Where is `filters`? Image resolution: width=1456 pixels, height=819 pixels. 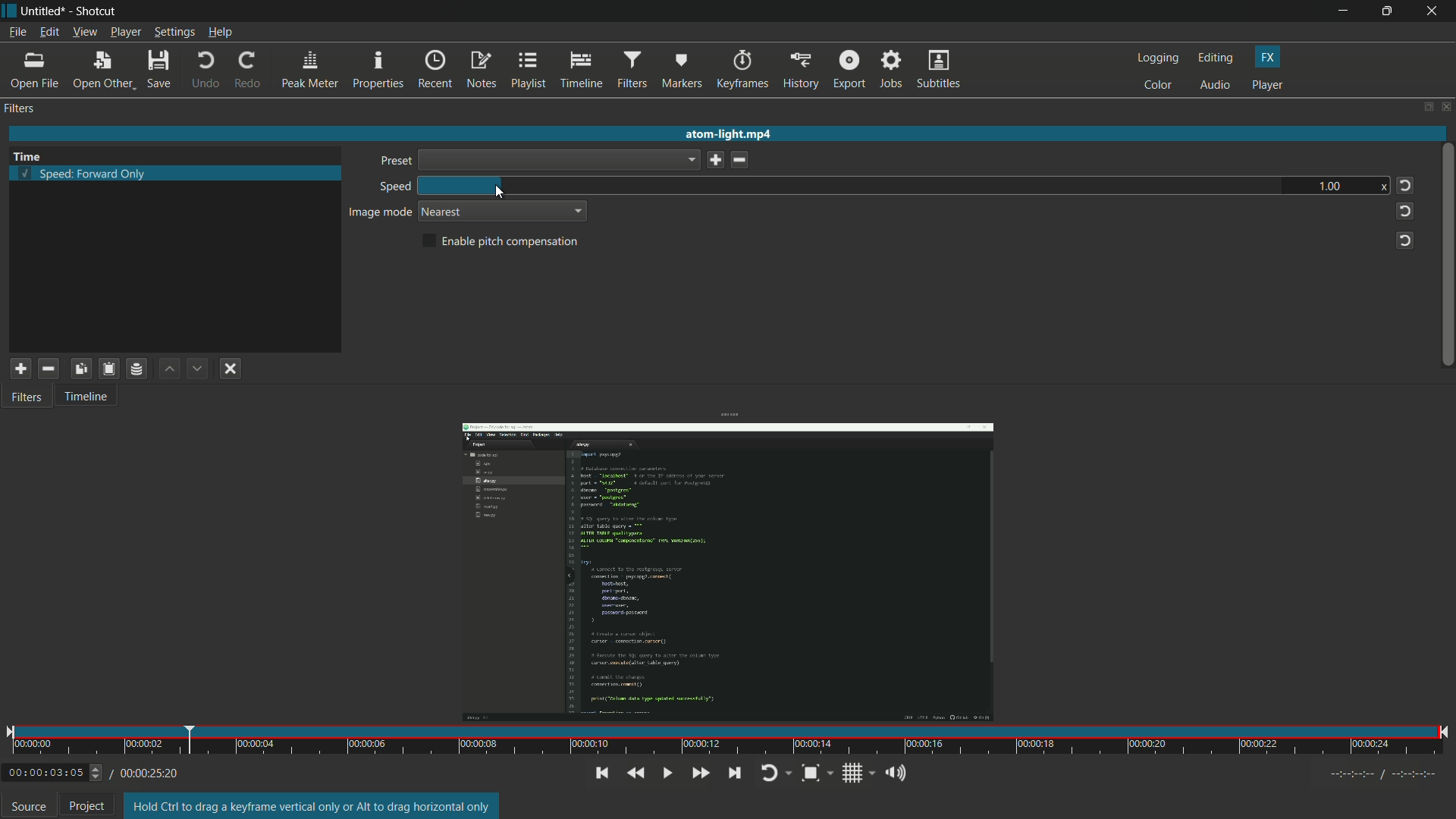
filters is located at coordinates (632, 71).